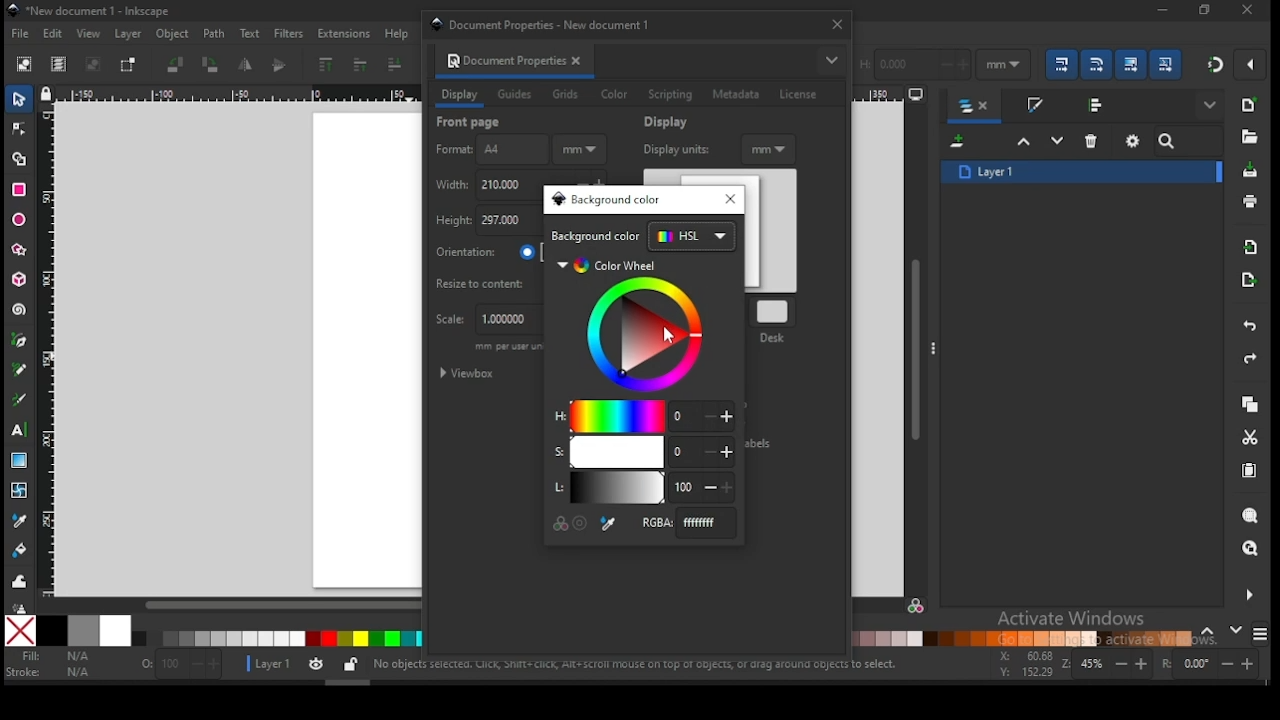 The height and width of the screenshot is (720, 1280). What do you see at coordinates (775, 319) in the screenshot?
I see `desk` at bounding box center [775, 319].